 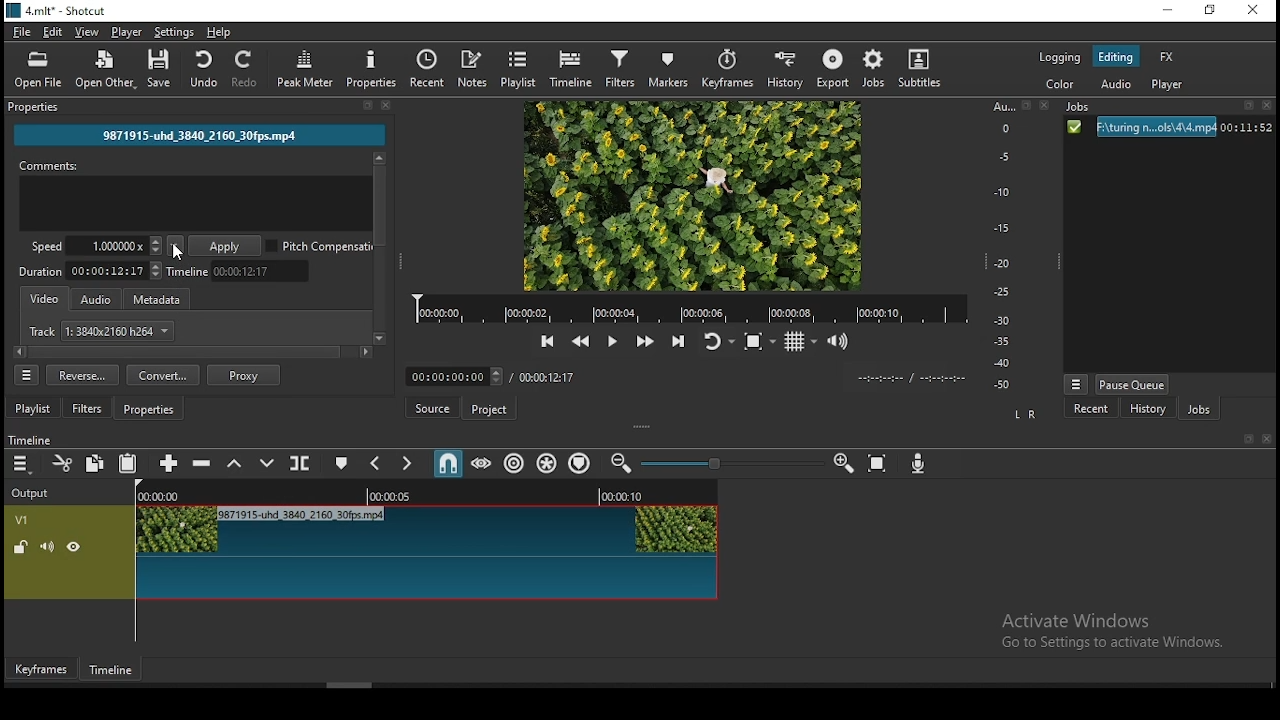 What do you see at coordinates (611, 342) in the screenshot?
I see `play/pause` at bounding box center [611, 342].